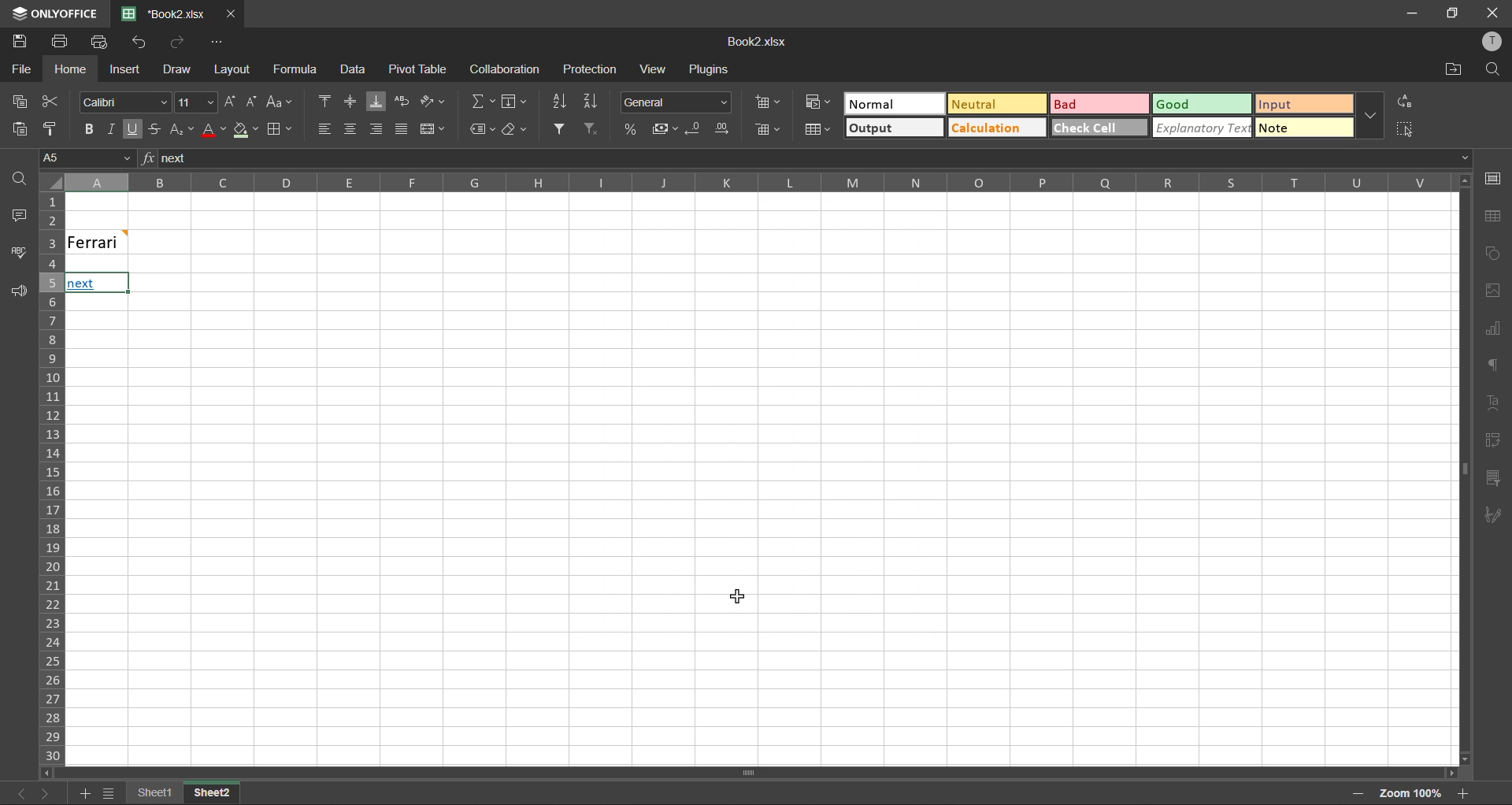  I want to click on sub/superscript, so click(176, 128).